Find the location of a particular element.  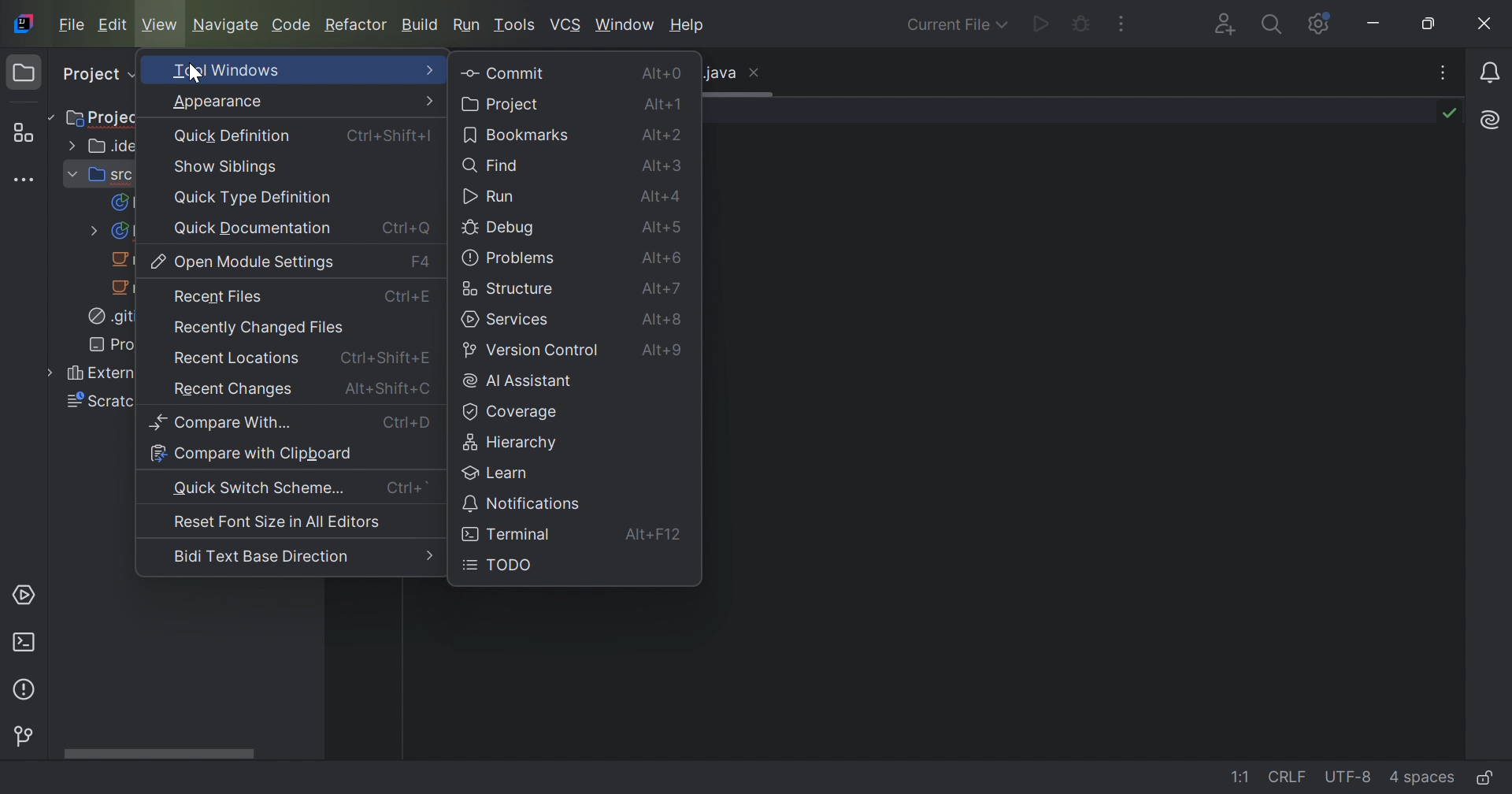

Project is located at coordinates (97, 76).